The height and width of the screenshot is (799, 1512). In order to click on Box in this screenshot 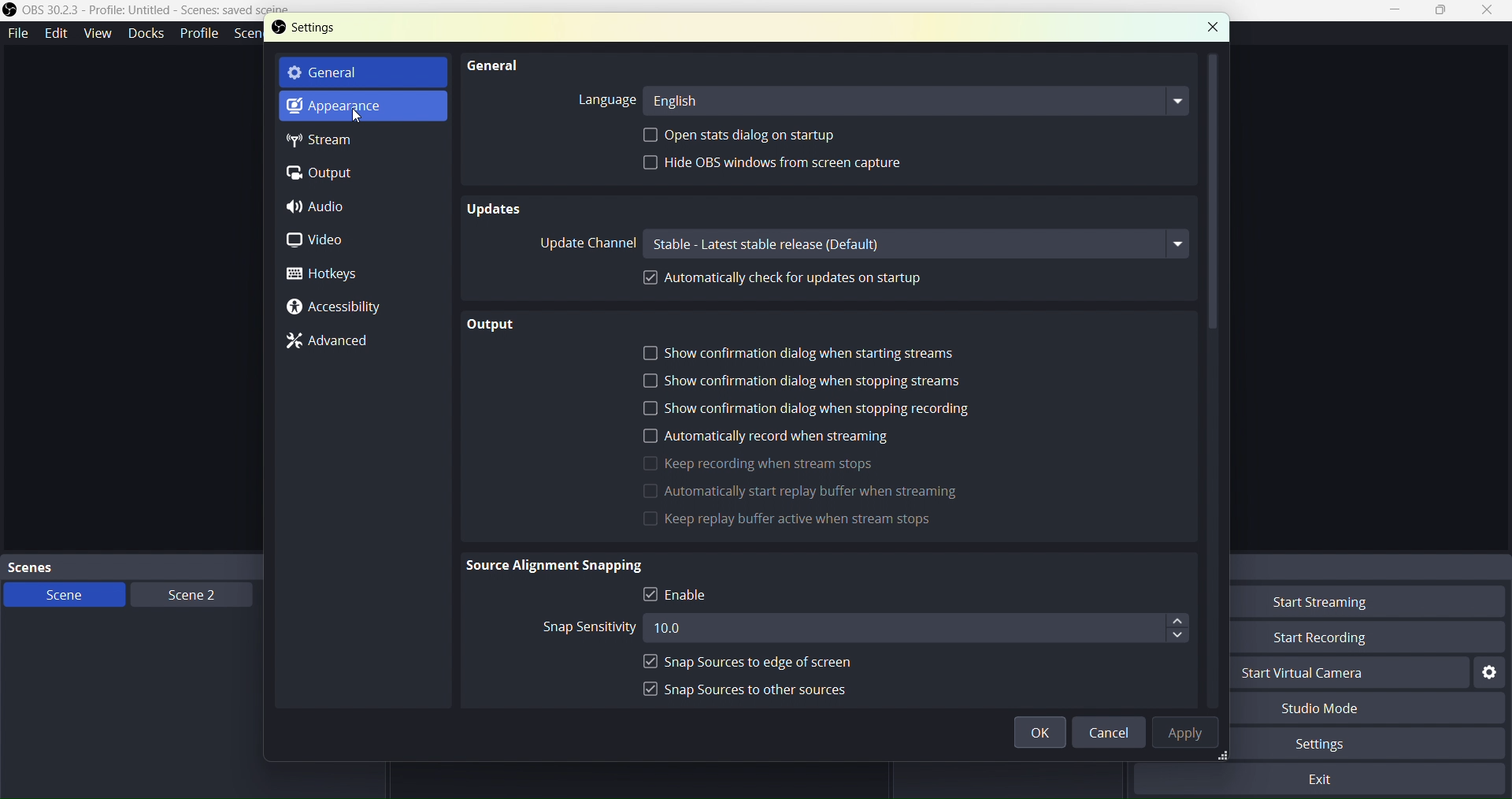, I will do `click(1443, 11)`.